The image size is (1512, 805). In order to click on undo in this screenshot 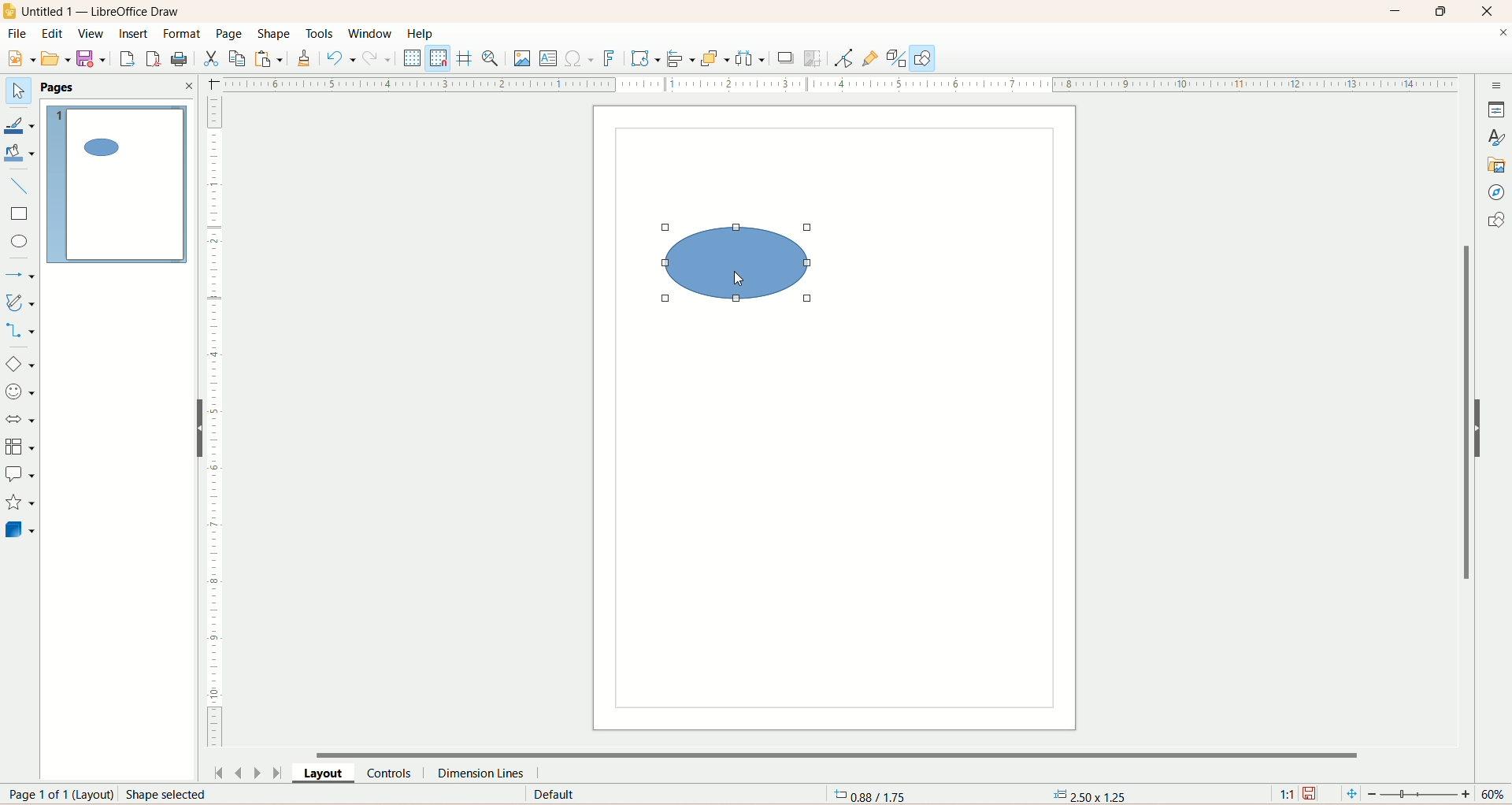, I will do `click(341, 58)`.